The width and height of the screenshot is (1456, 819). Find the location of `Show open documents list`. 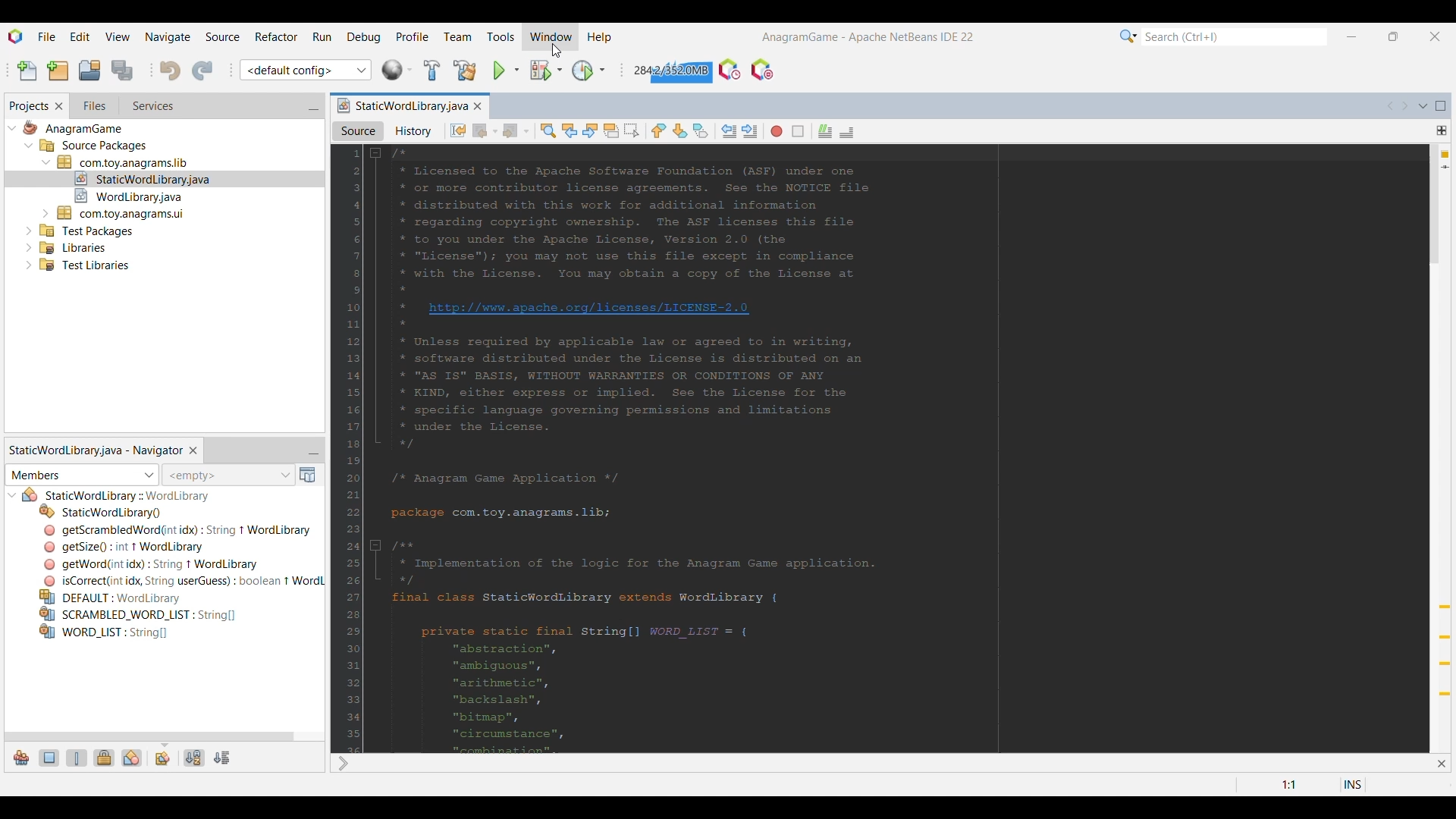

Show open documents list is located at coordinates (1423, 106).